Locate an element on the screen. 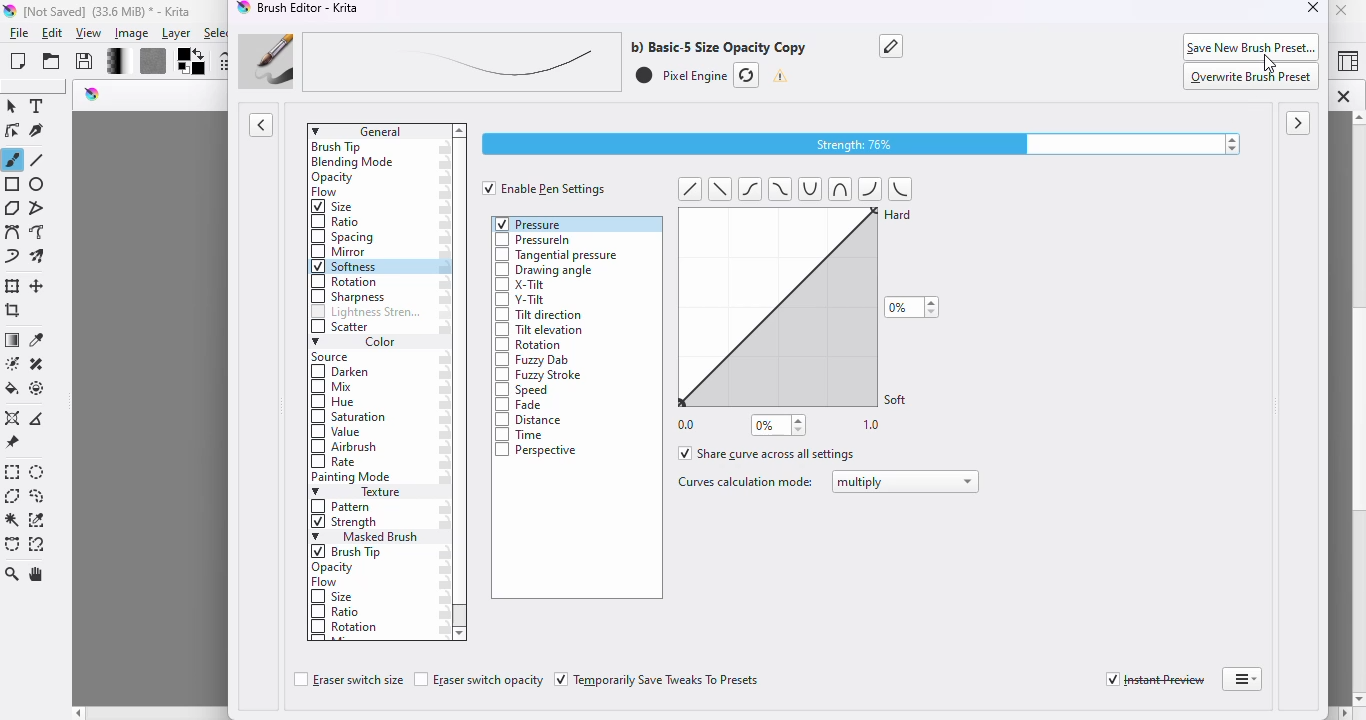 The height and width of the screenshot is (720, 1366). lightness strength is located at coordinates (366, 313).